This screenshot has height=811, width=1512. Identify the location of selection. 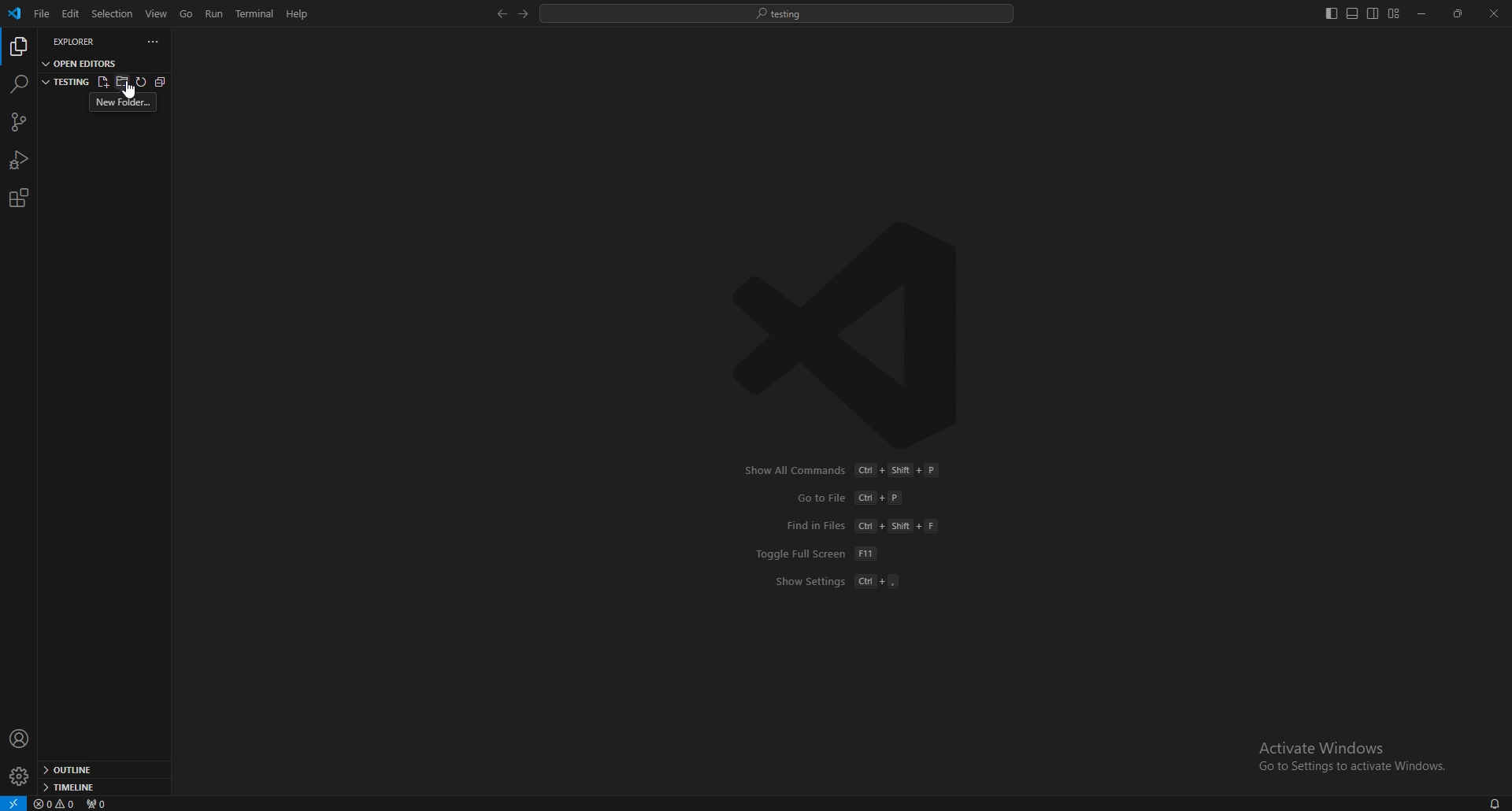
(112, 13).